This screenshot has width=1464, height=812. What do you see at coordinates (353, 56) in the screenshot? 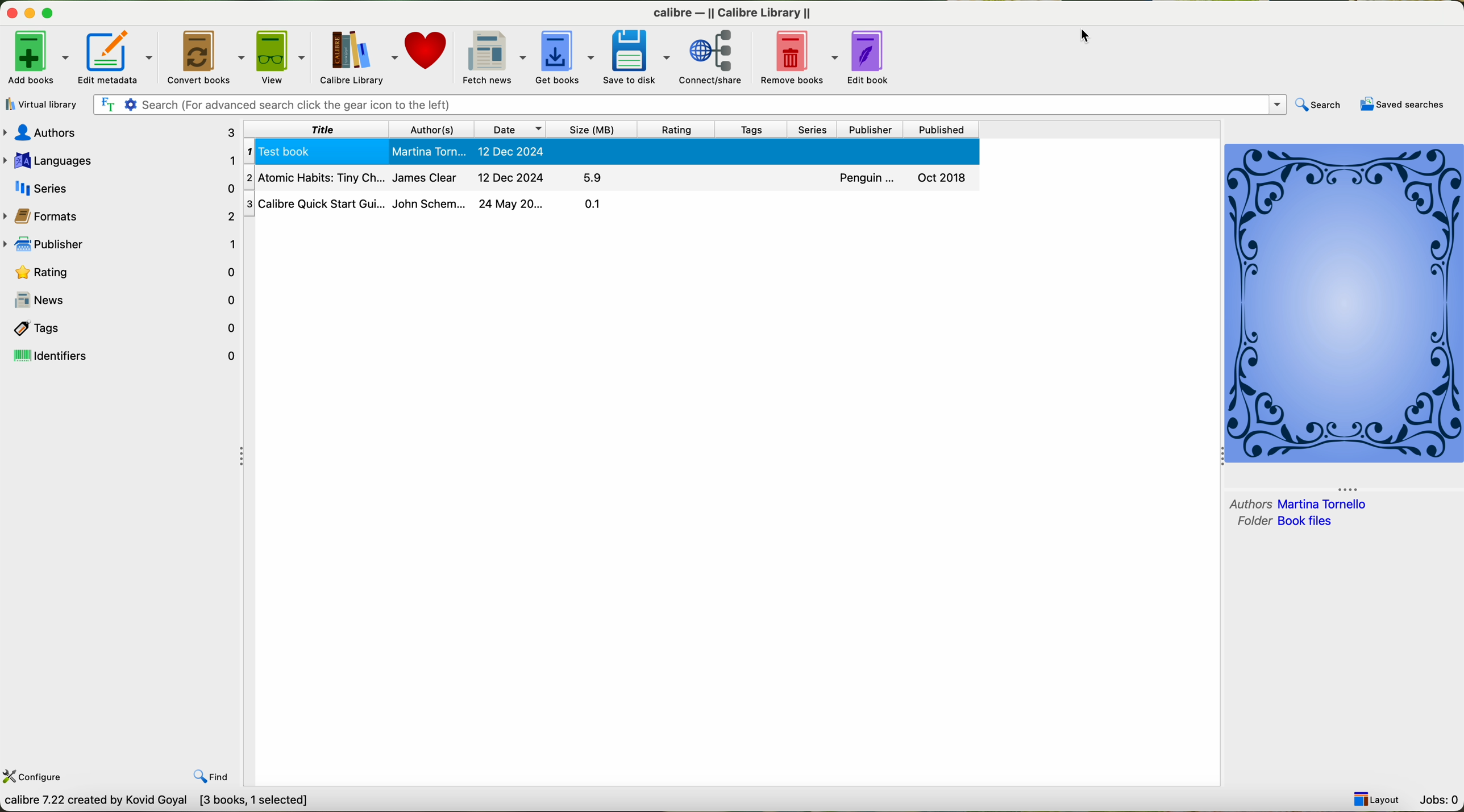
I see `calibre library` at bounding box center [353, 56].